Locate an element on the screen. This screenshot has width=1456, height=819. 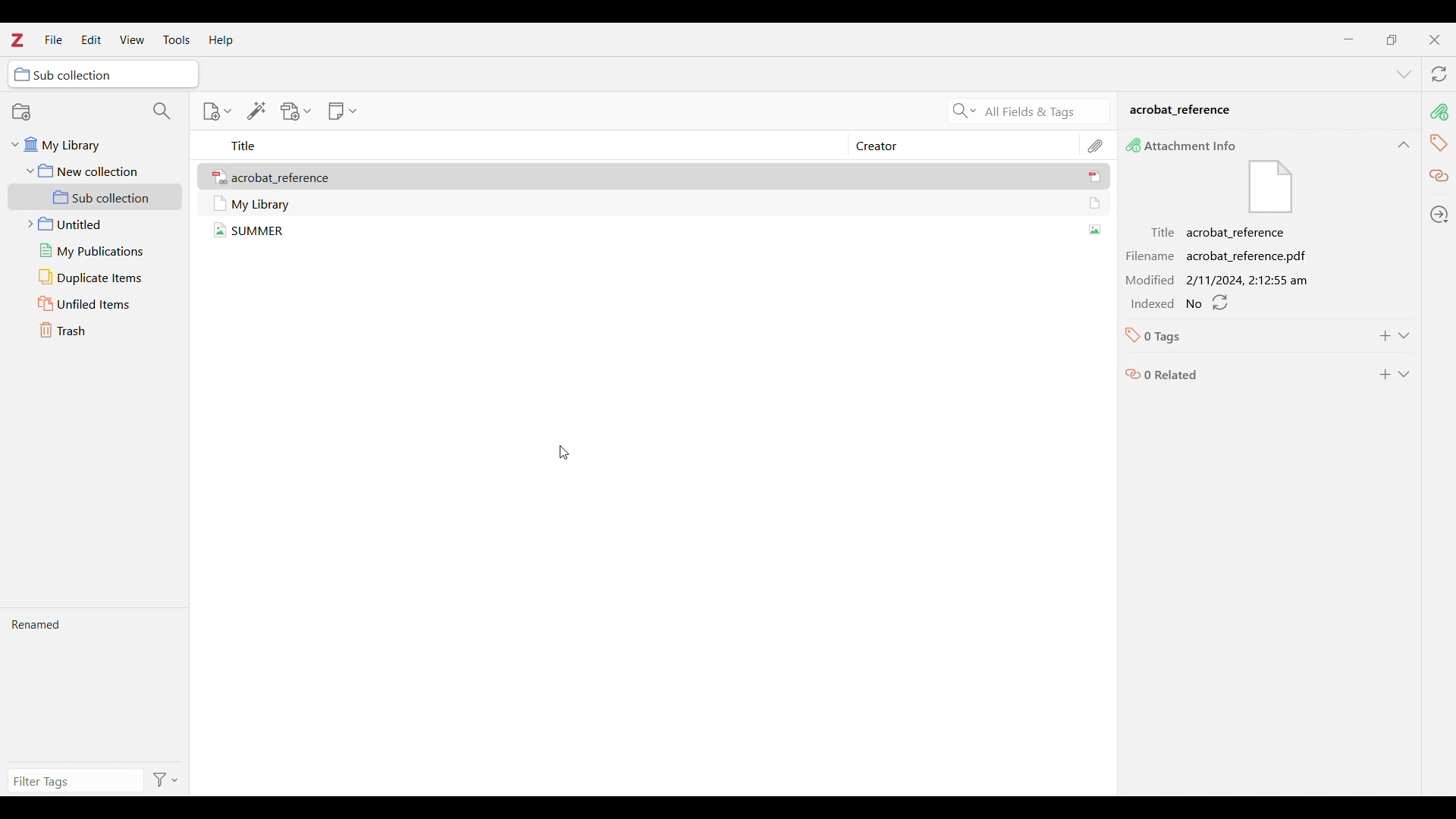
Collapse is located at coordinates (1404, 145).